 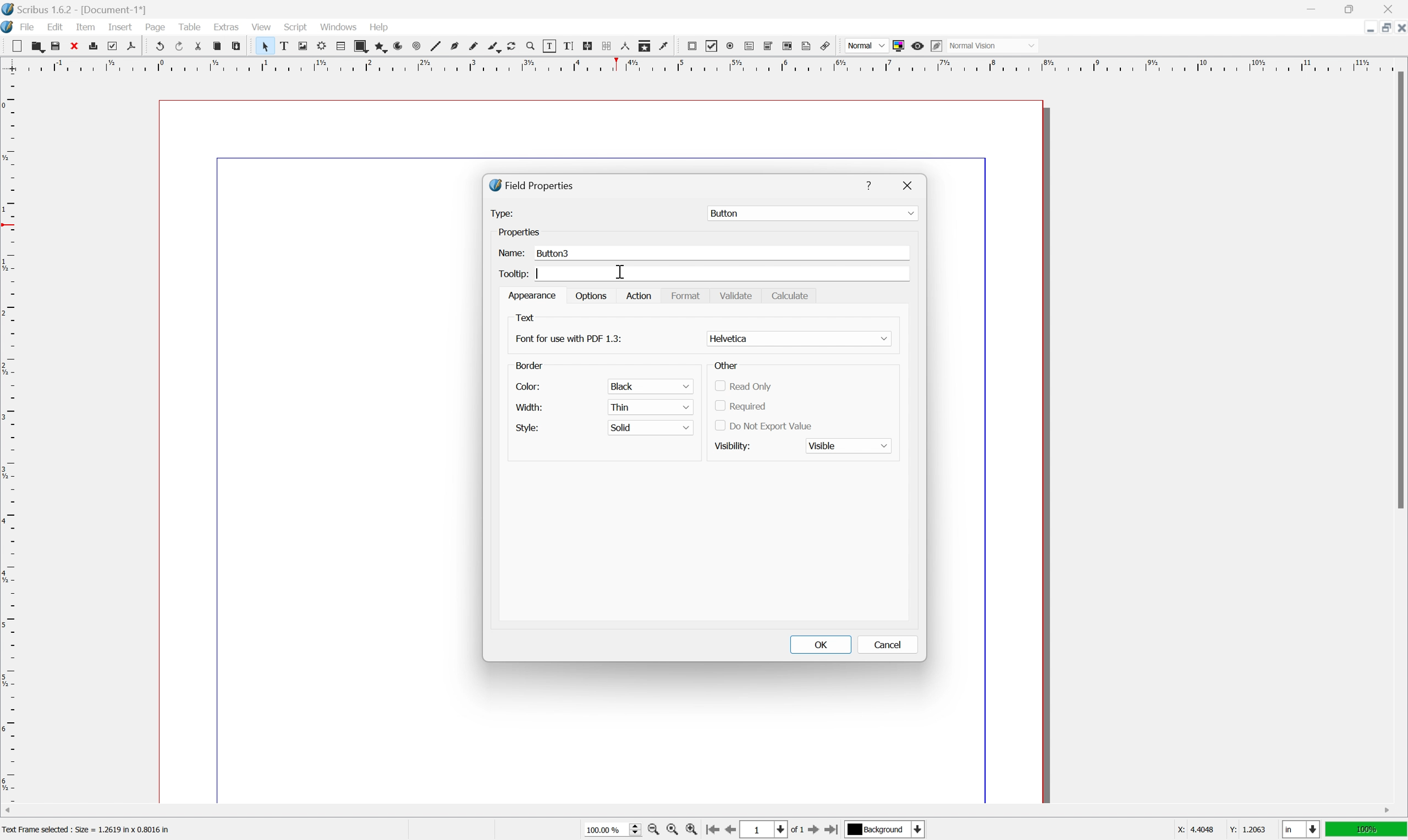 I want to click on ruler, so click(x=9, y=437).